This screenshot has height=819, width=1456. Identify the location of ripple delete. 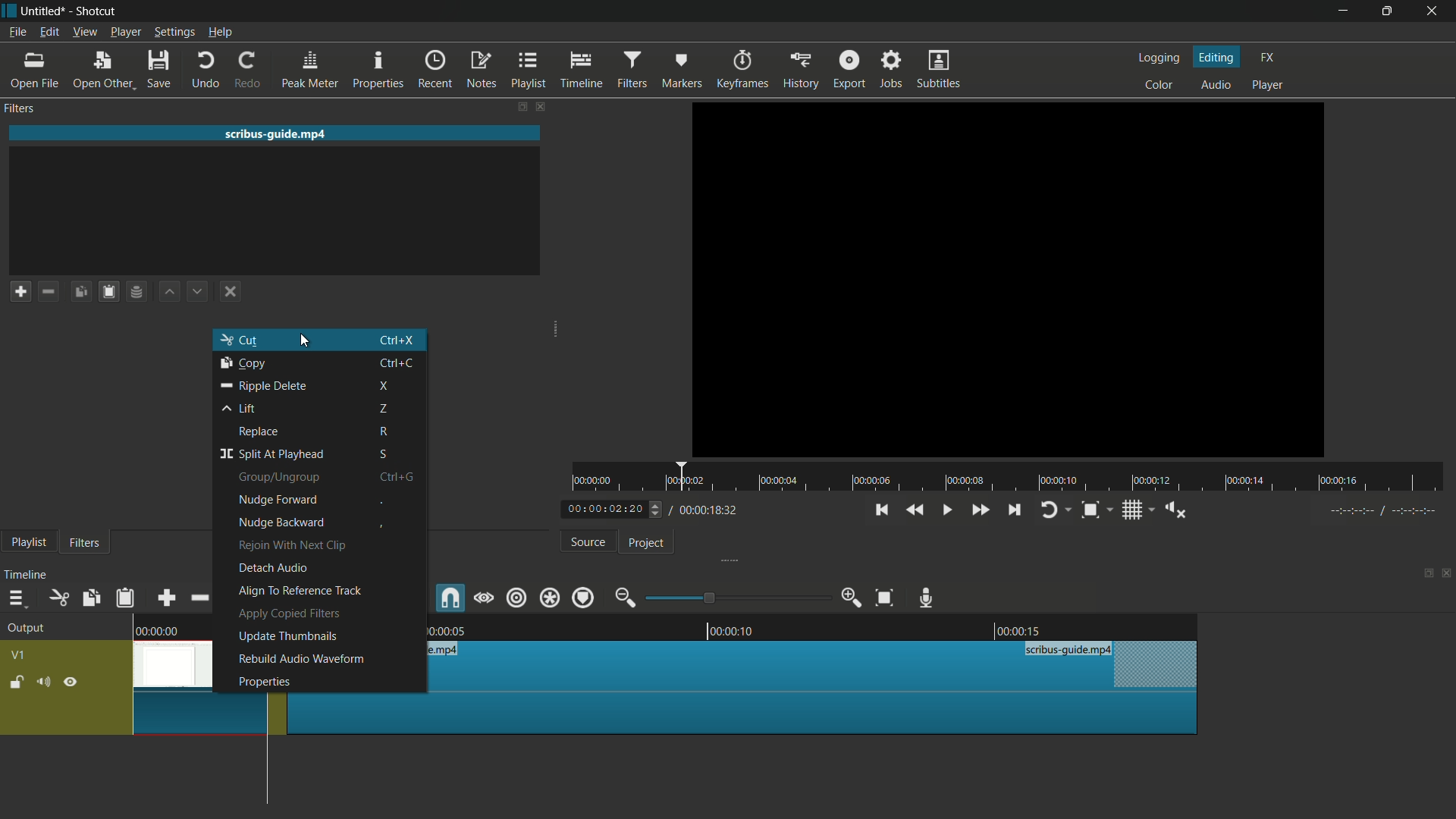
(265, 386).